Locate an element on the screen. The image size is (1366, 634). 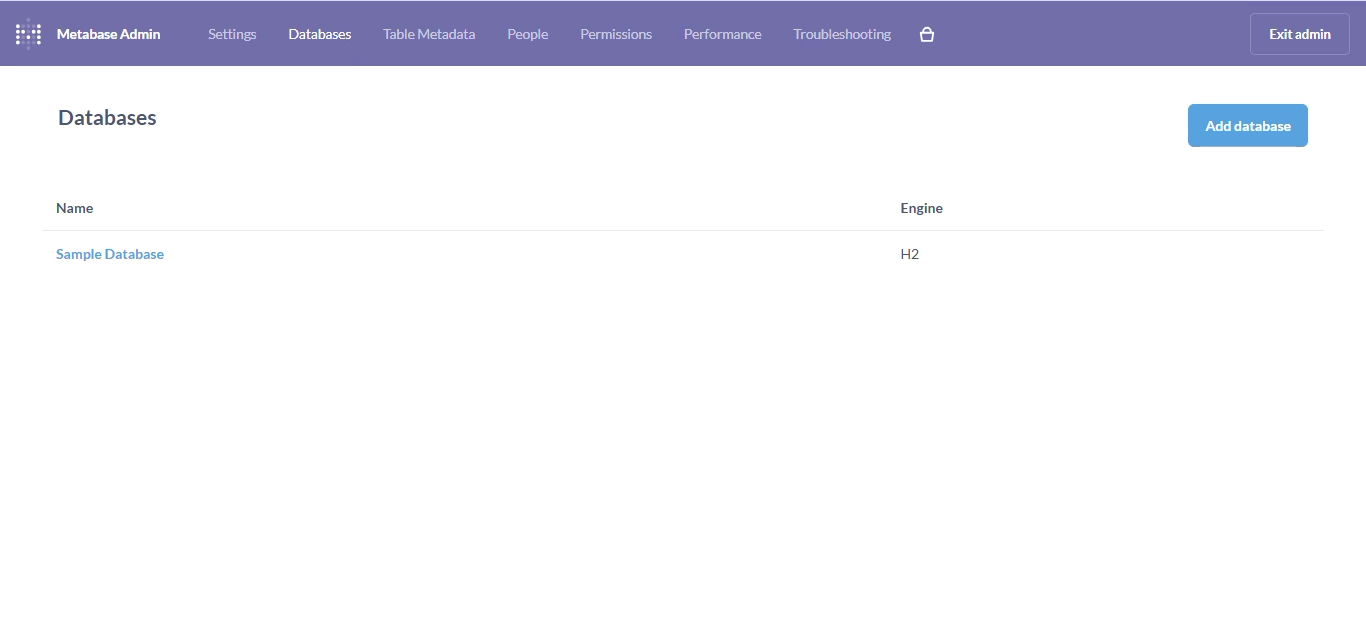
H2 is located at coordinates (910, 254).